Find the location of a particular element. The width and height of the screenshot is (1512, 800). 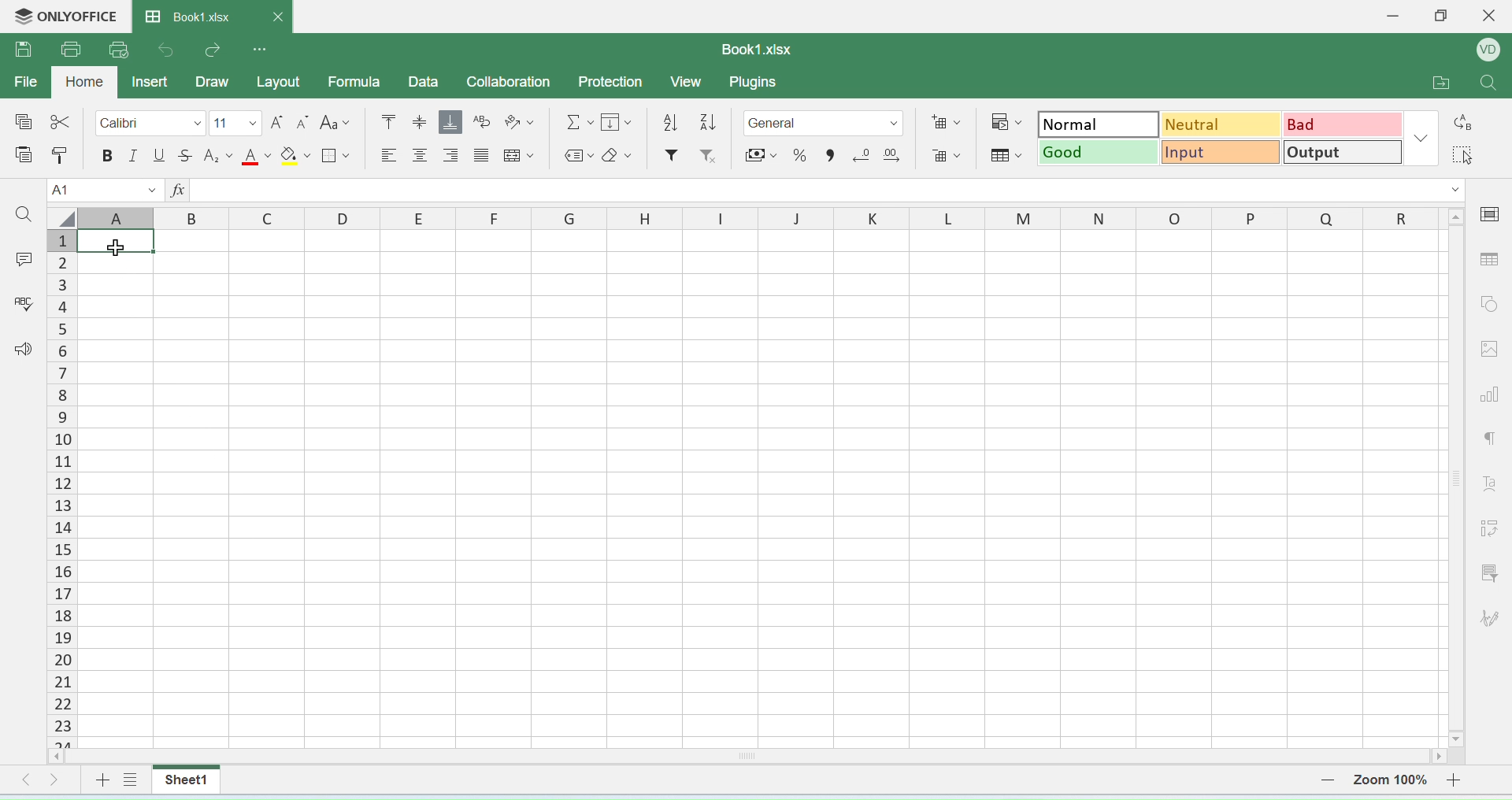

book1.xlsx is located at coordinates (757, 46).